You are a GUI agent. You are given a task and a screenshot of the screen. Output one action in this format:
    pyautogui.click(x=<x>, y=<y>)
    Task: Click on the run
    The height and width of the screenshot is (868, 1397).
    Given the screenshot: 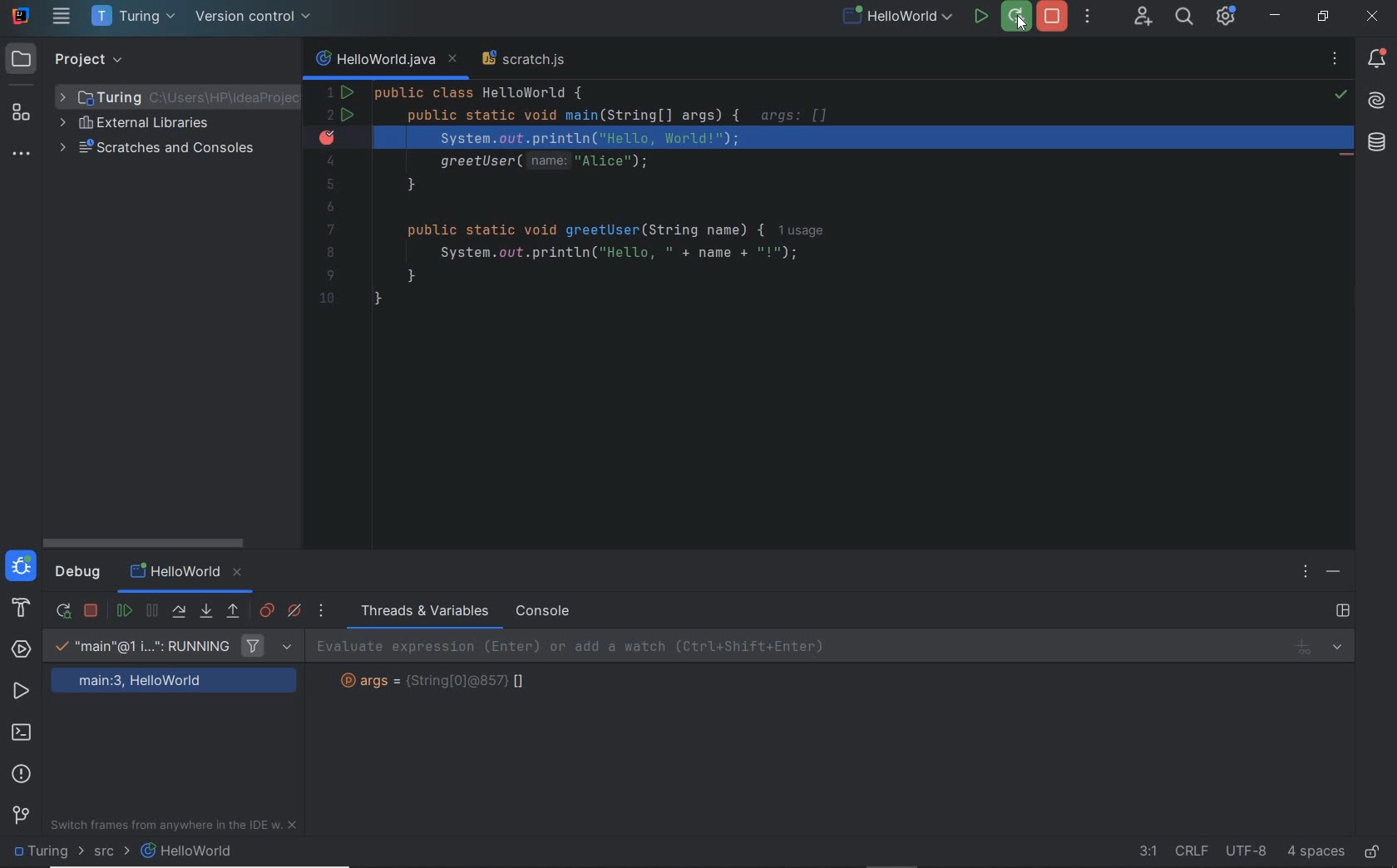 What is the action you would take?
    pyautogui.click(x=981, y=17)
    